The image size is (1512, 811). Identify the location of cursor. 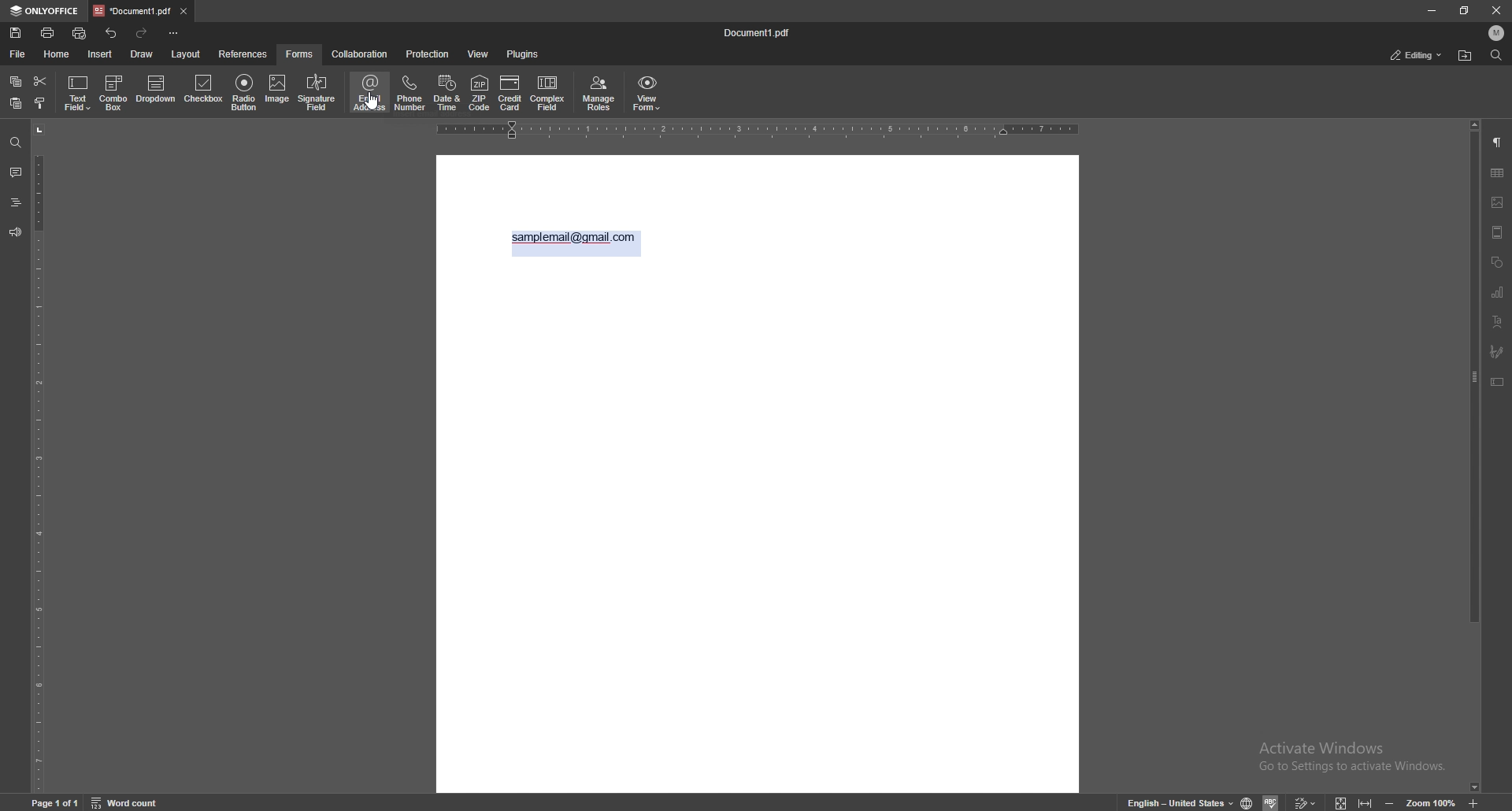
(372, 109).